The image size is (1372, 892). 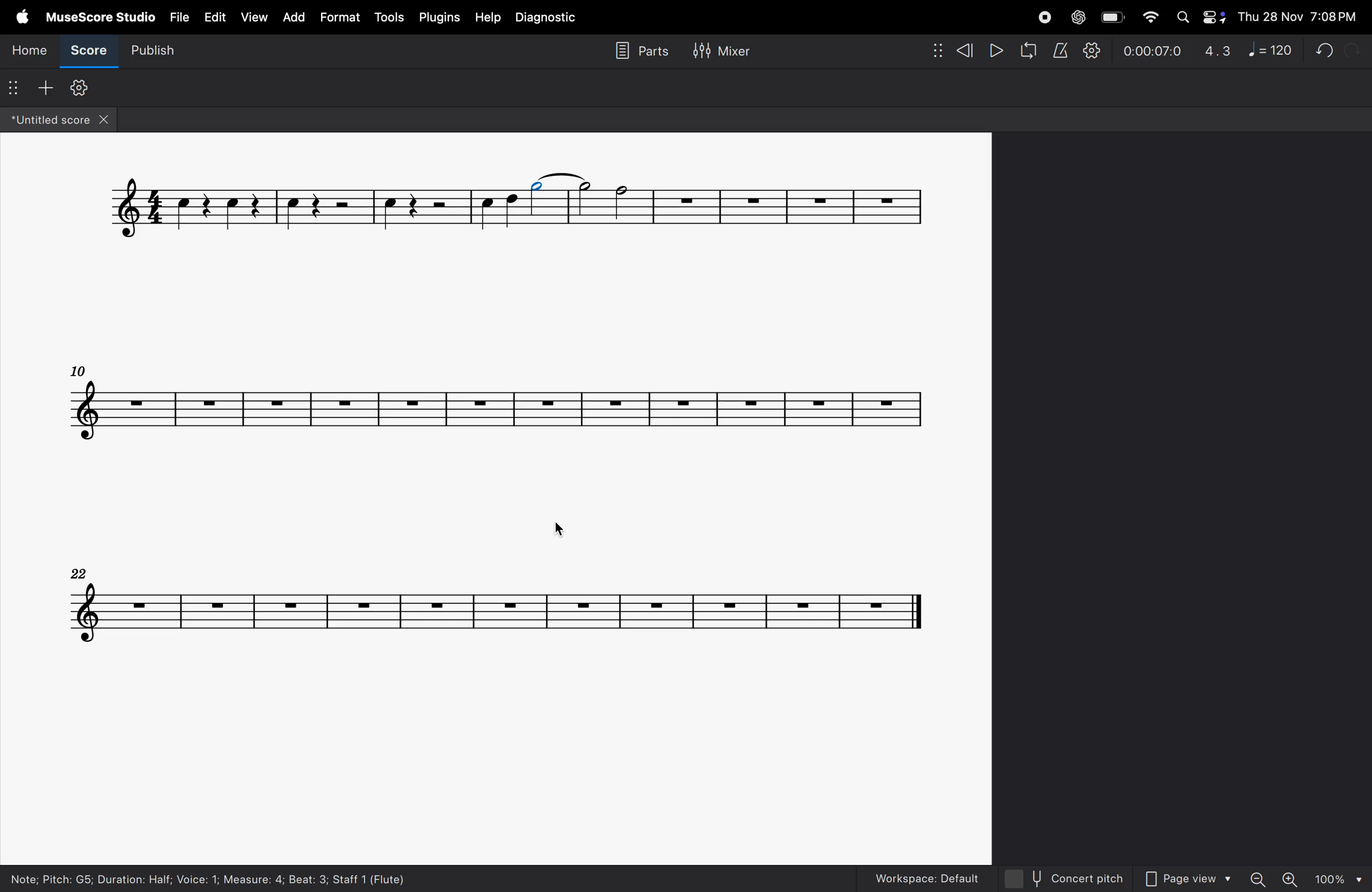 I want to click on score, so click(x=87, y=53).